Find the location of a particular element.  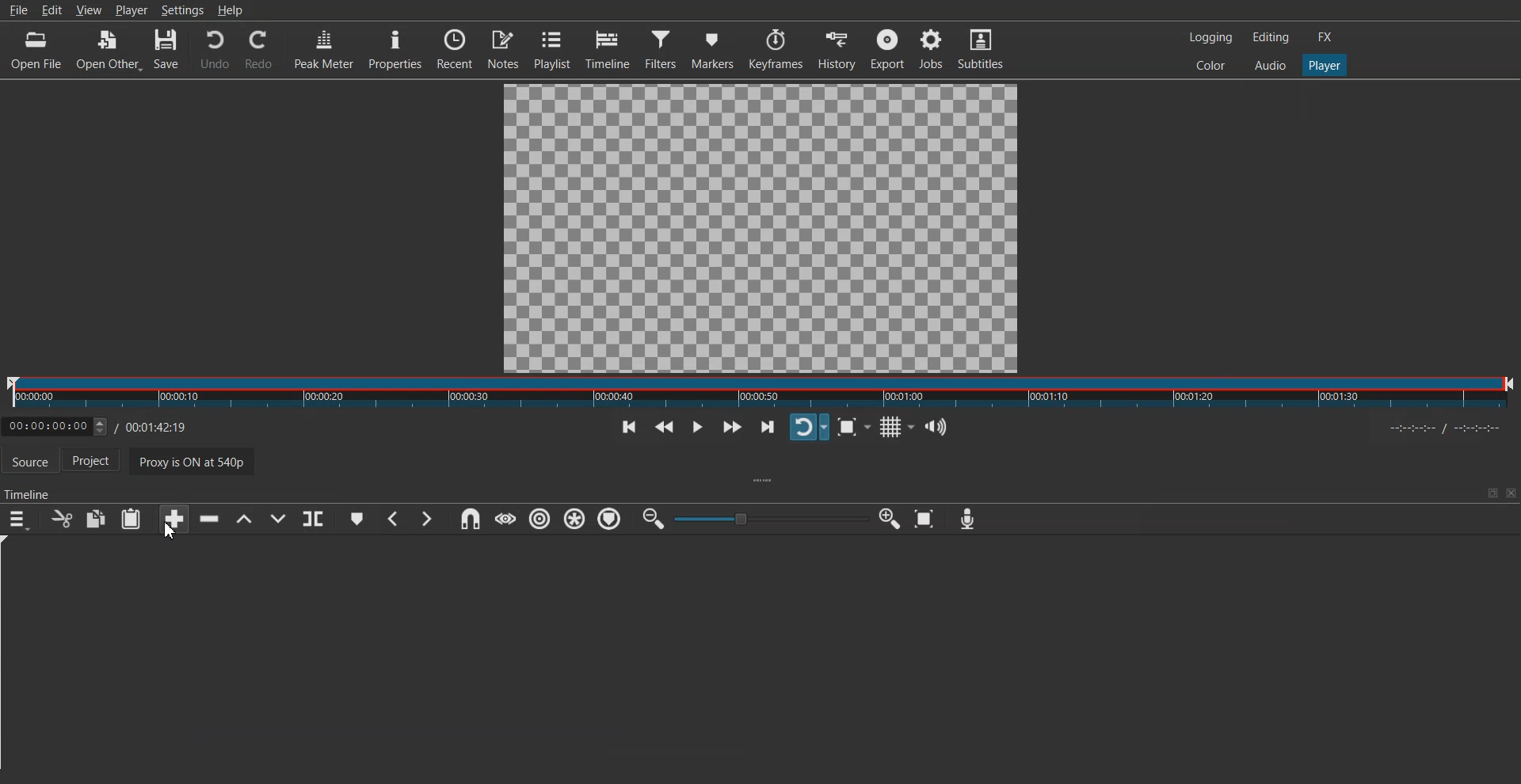

Peak Meter is located at coordinates (324, 48).